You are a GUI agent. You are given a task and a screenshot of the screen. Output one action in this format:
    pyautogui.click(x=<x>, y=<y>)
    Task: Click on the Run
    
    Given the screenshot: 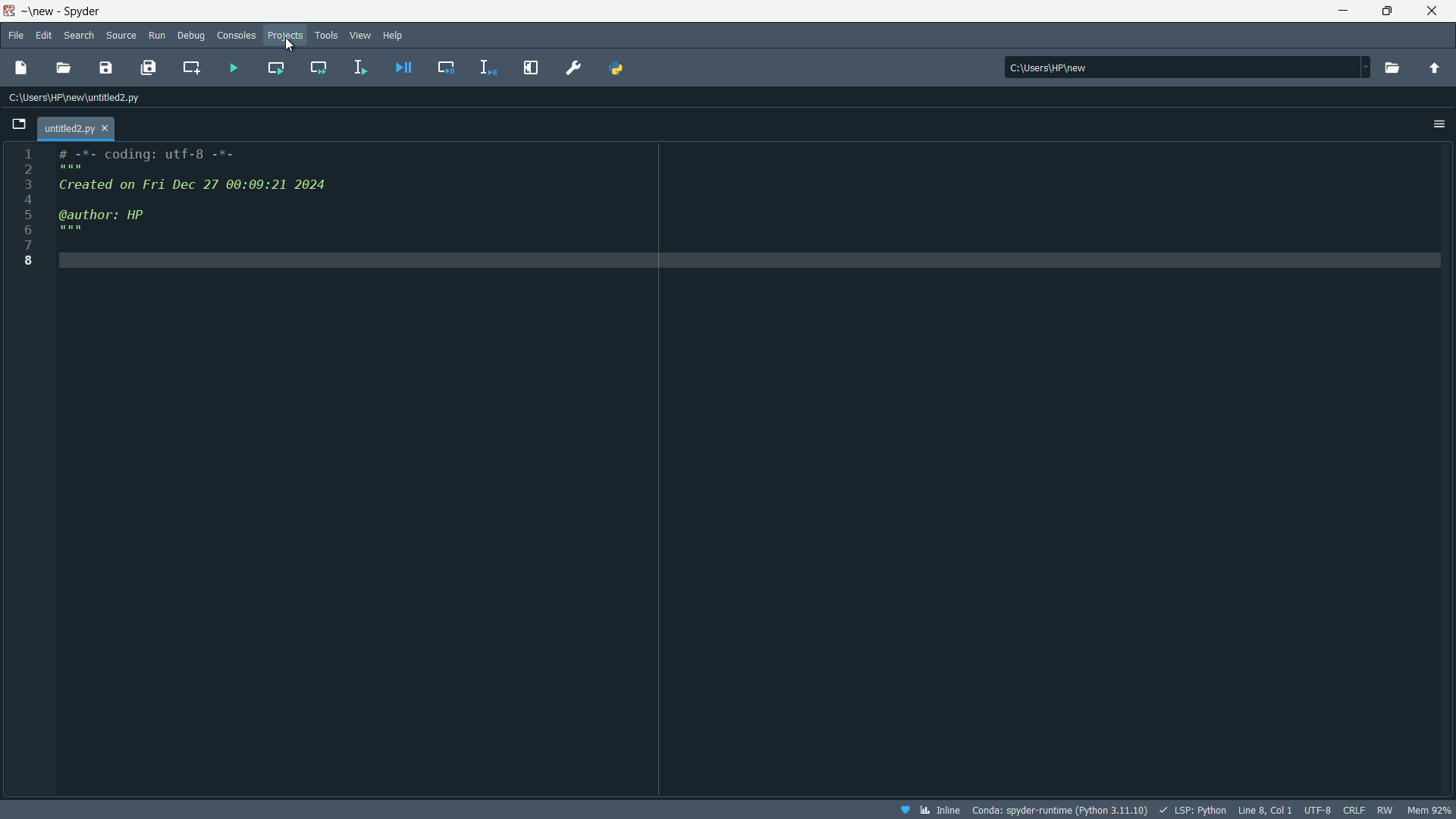 What is the action you would take?
    pyautogui.click(x=158, y=33)
    